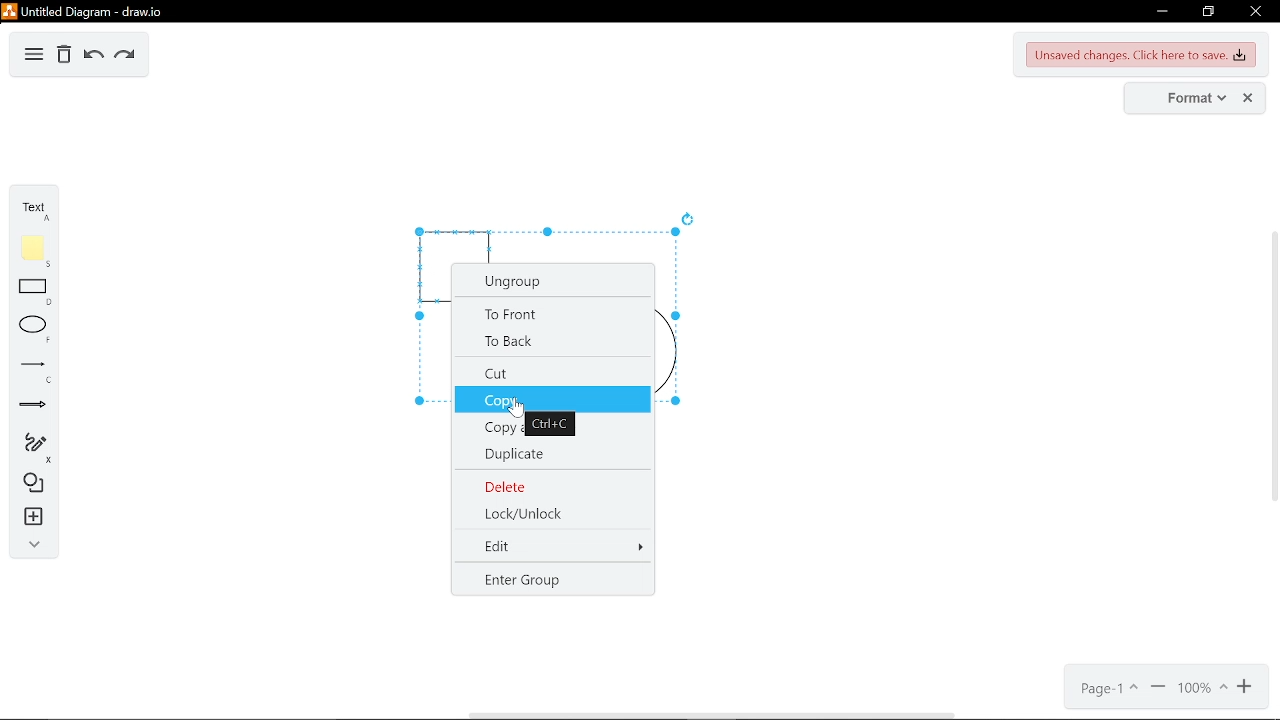  What do you see at coordinates (1183, 98) in the screenshot?
I see `format` at bounding box center [1183, 98].